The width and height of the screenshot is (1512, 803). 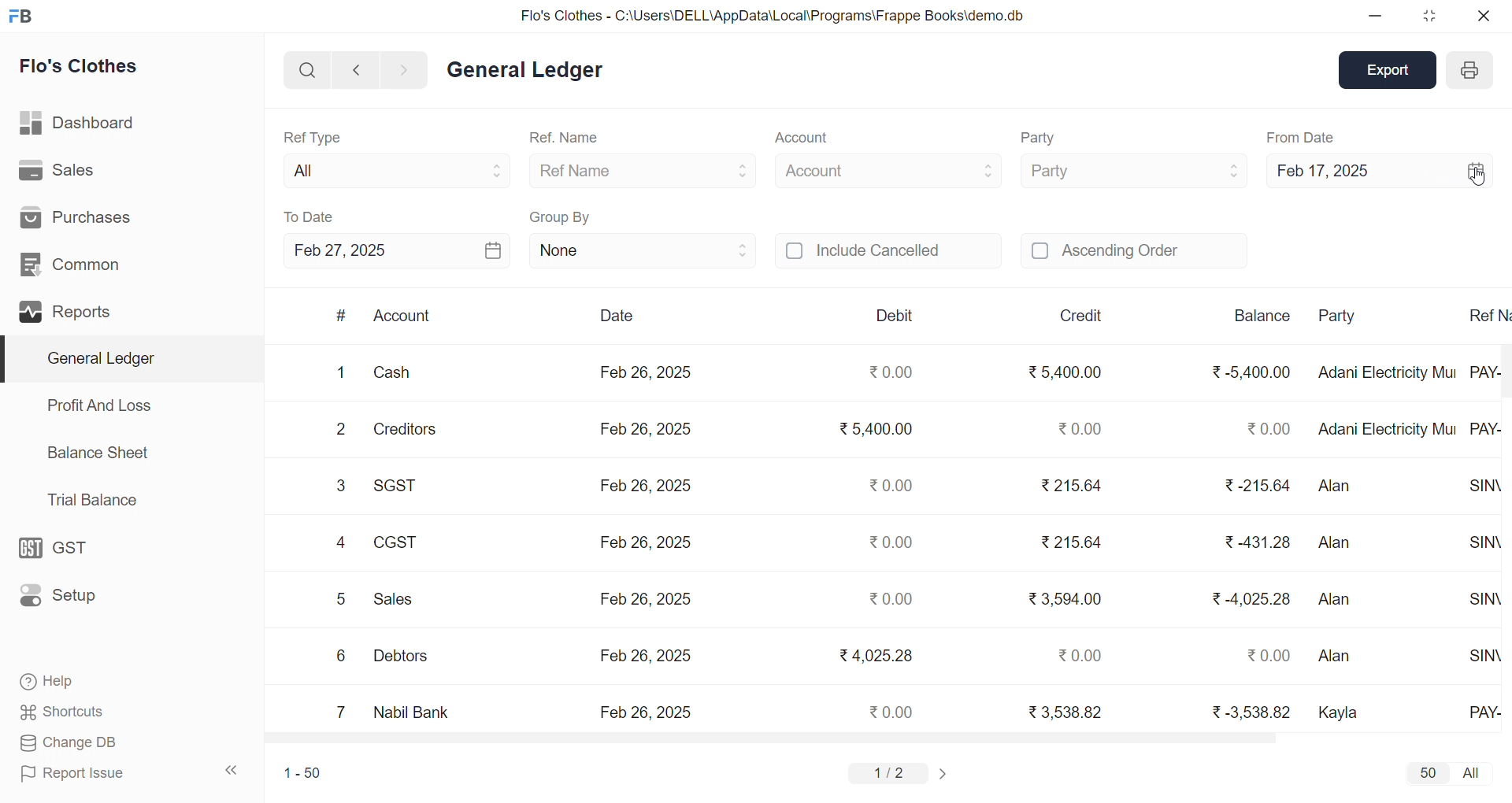 What do you see at coordinates (646, 599) in the screenshot?
I see `Feb 26, 2025` at bounding box center [646, 599].